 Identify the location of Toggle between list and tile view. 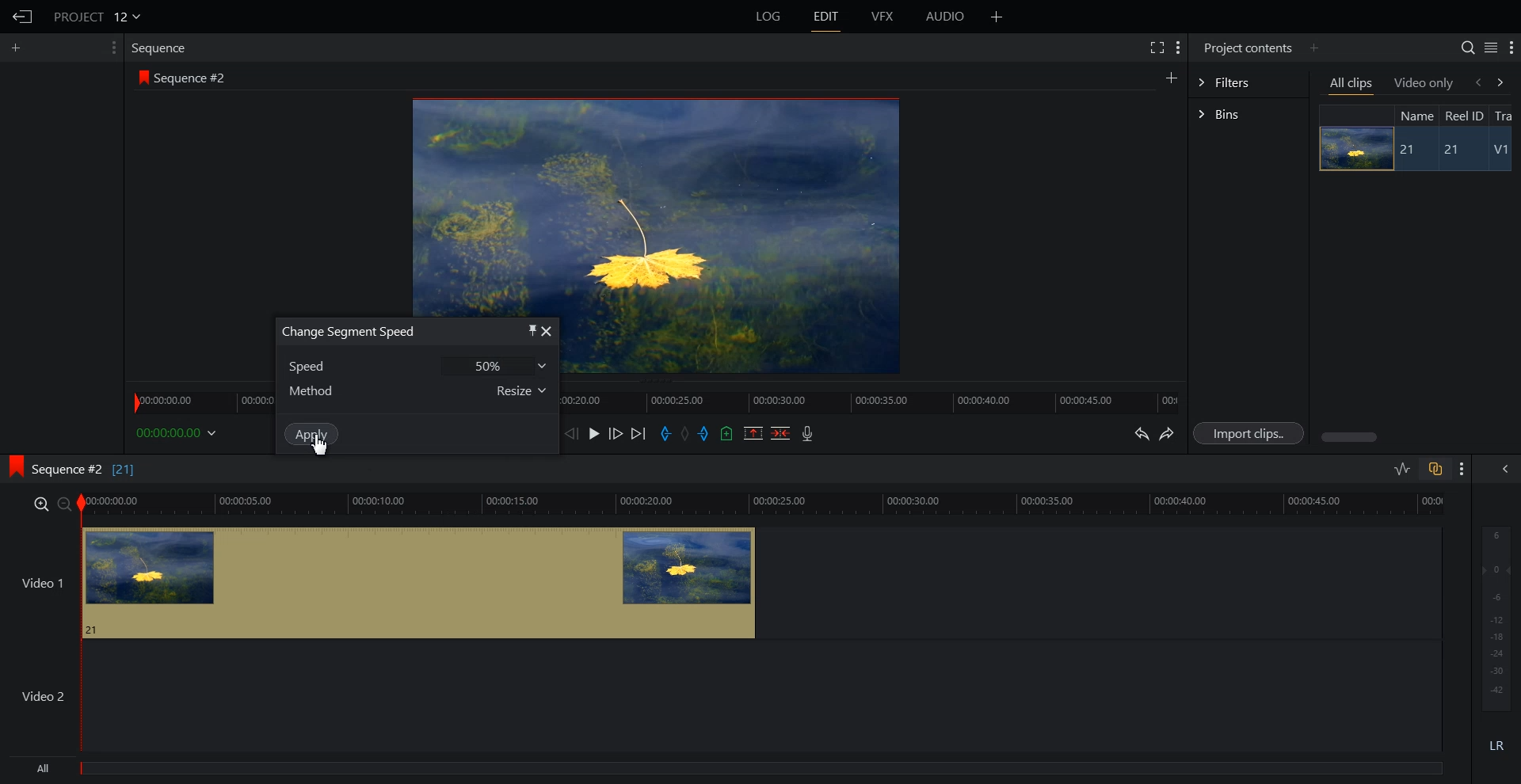
(1491, 48).